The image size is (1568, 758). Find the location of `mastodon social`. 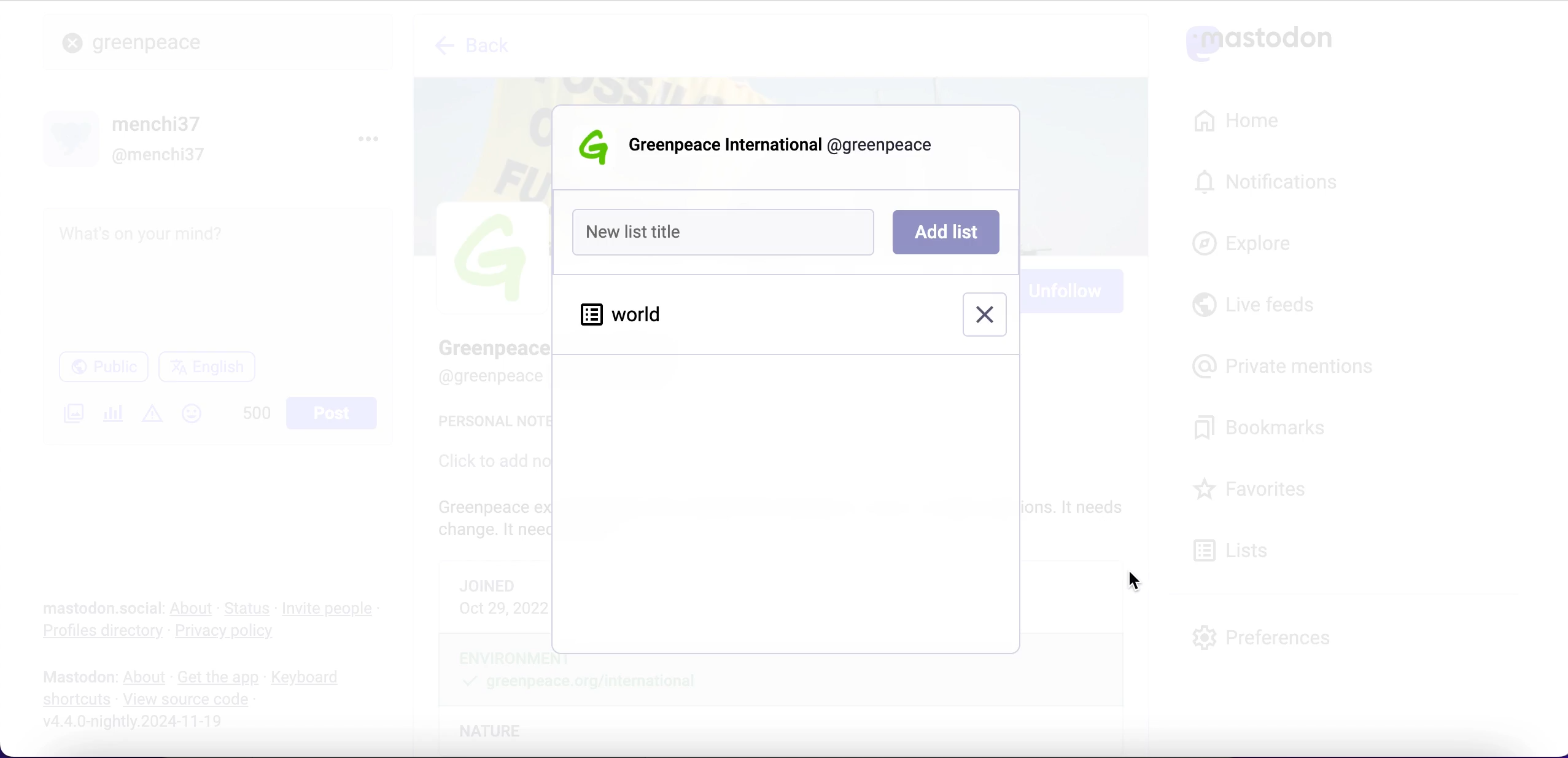

mastodon social is located at coordinates (86, 609).